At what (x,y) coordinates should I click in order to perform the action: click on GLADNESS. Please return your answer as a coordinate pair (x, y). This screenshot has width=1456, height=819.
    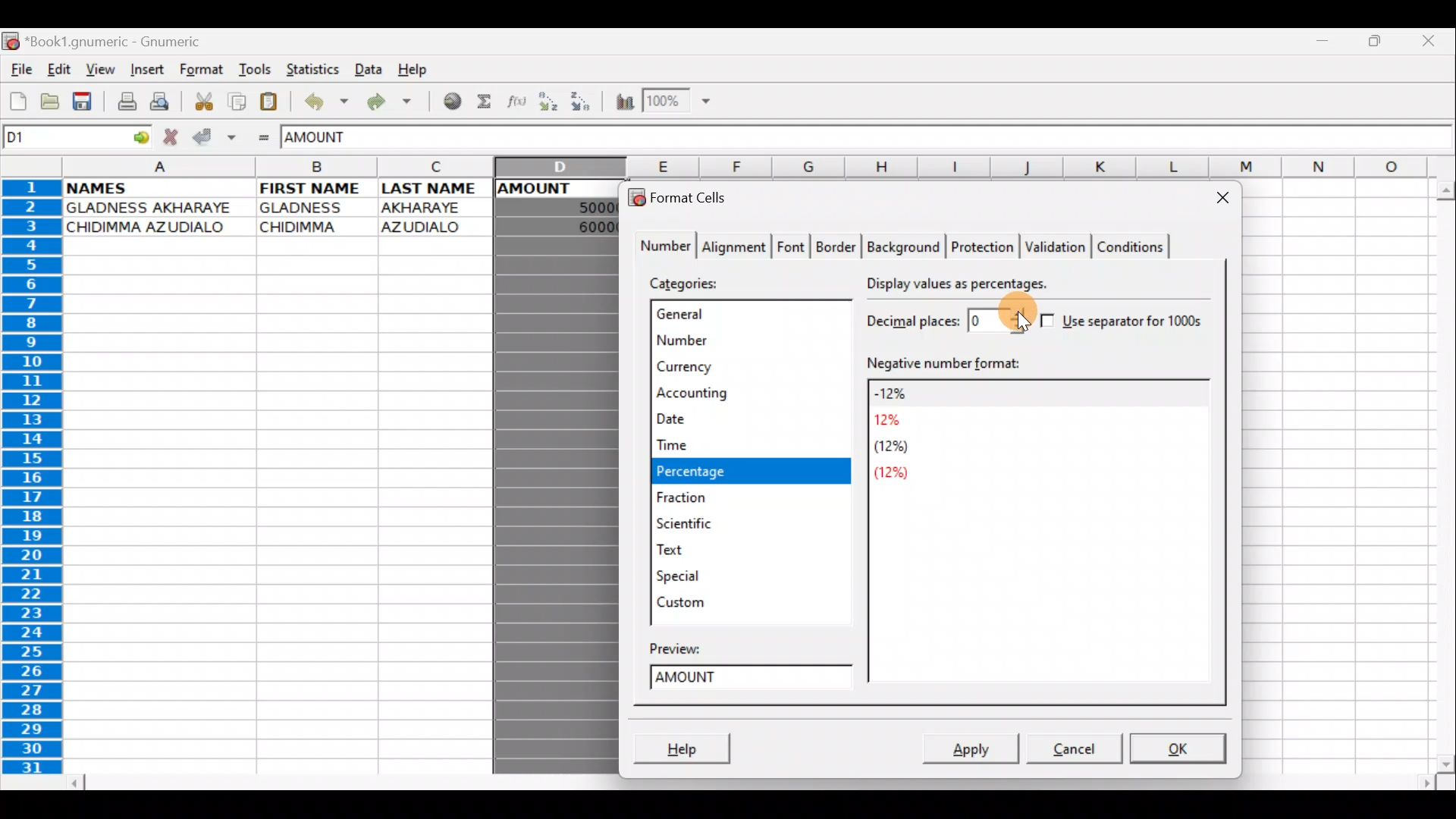
    Looking at the image, I should click on (312, 208).